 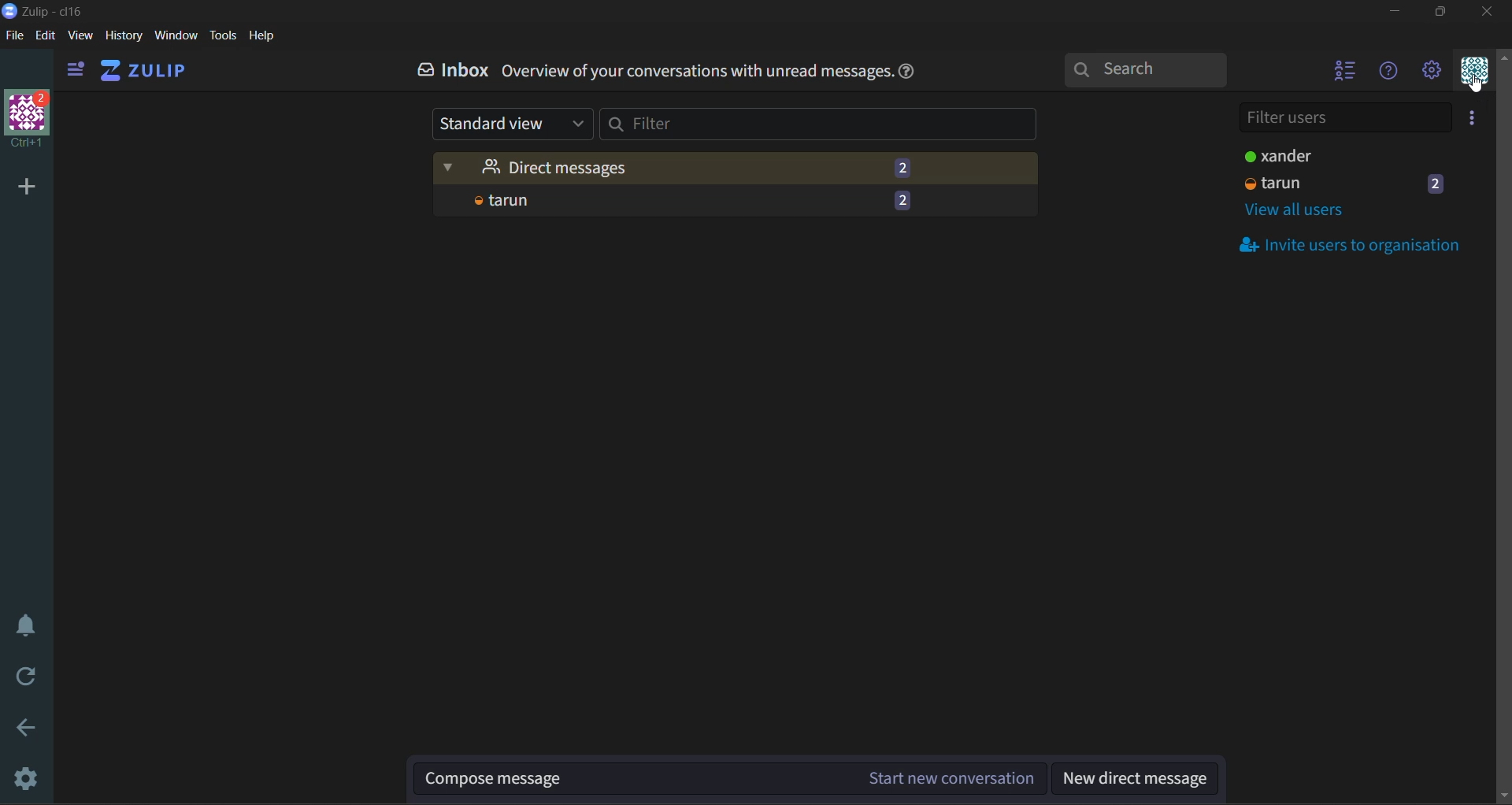 I want to click on search, so click(x=1152, y=71).